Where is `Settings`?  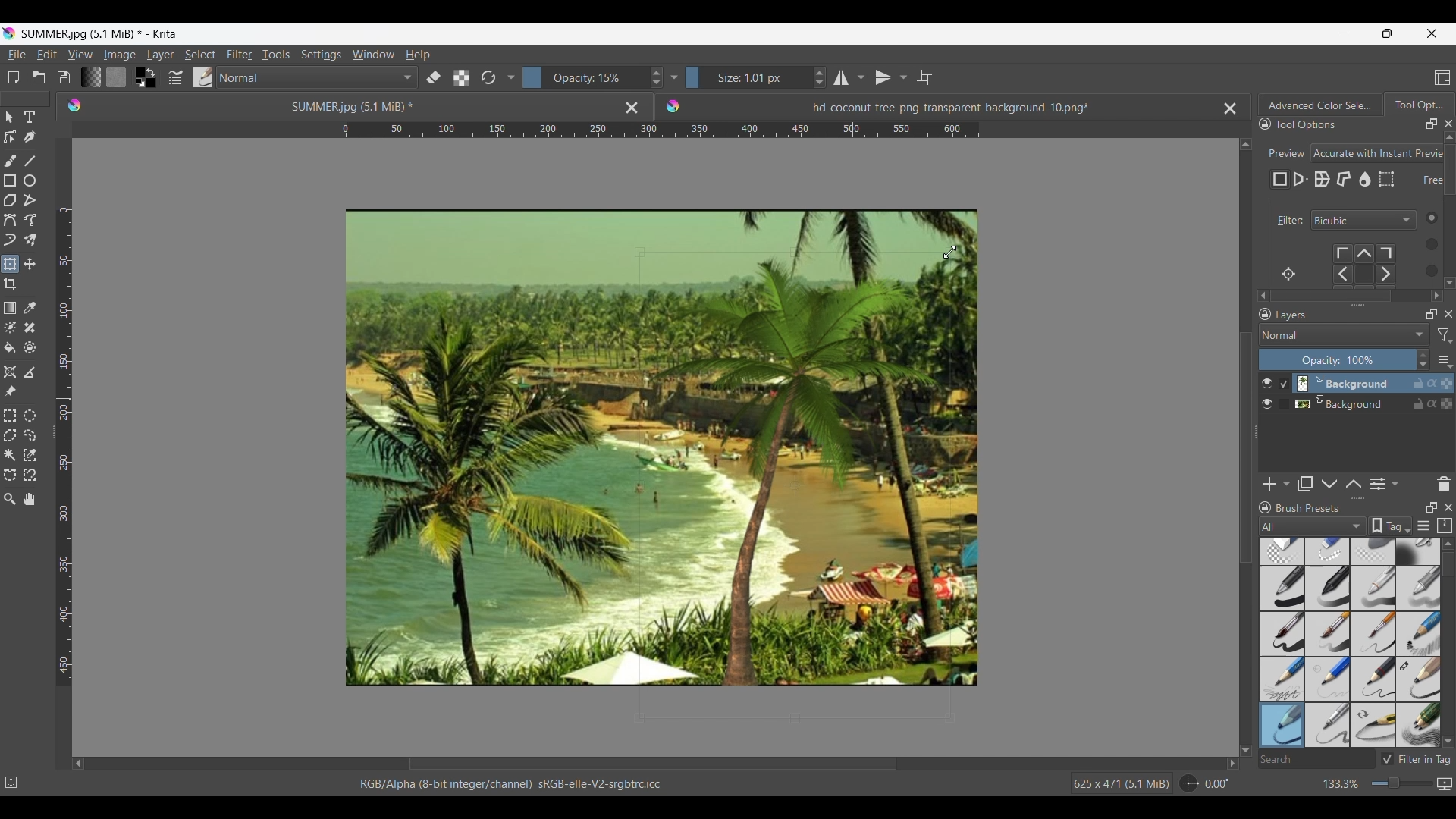 Settings is located at coordinates (321, 54).